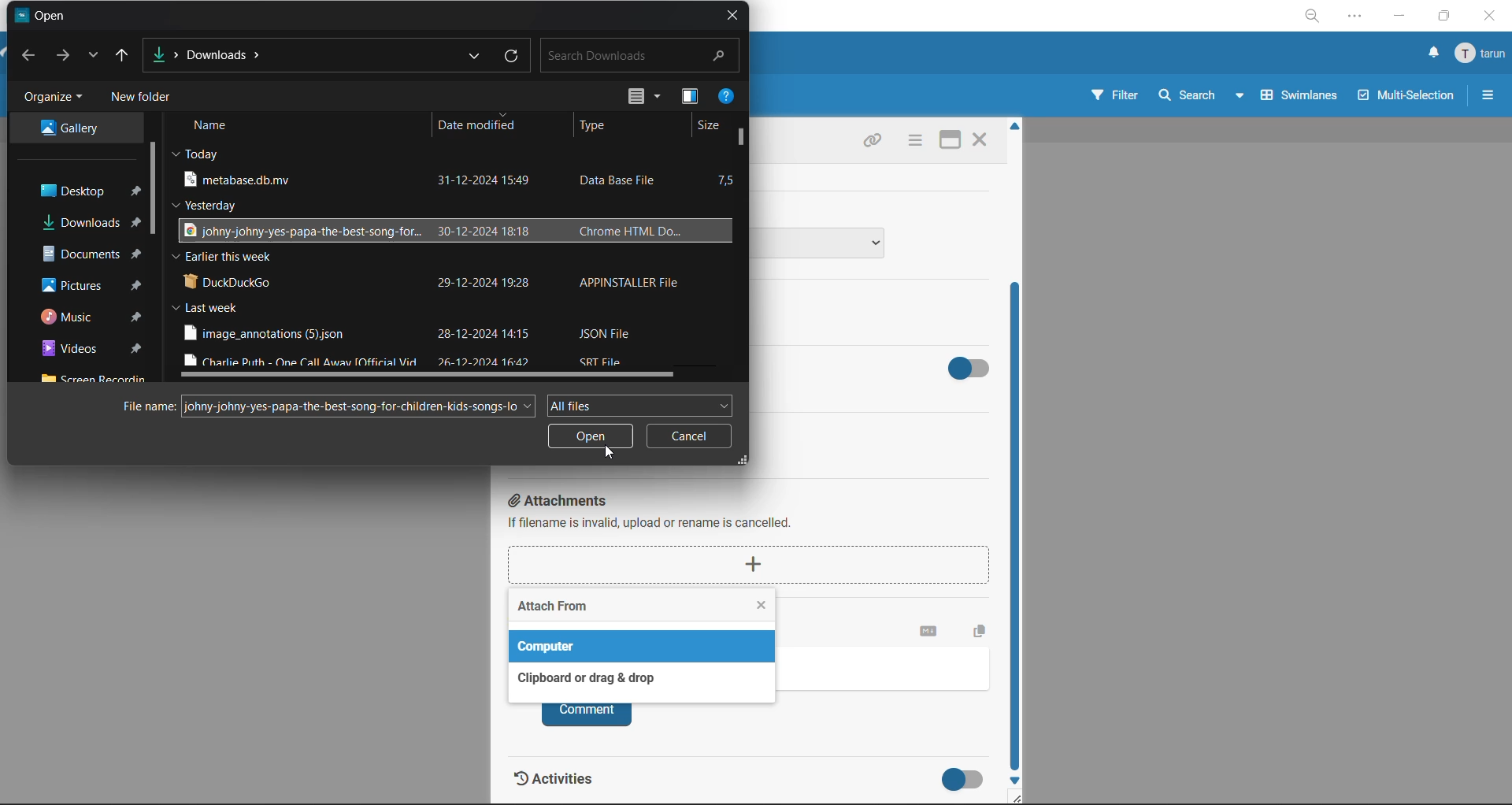 Image resolution: width=1512 pixels, height=805 pixels. I want to click on sidebar, so click(1486, 95).